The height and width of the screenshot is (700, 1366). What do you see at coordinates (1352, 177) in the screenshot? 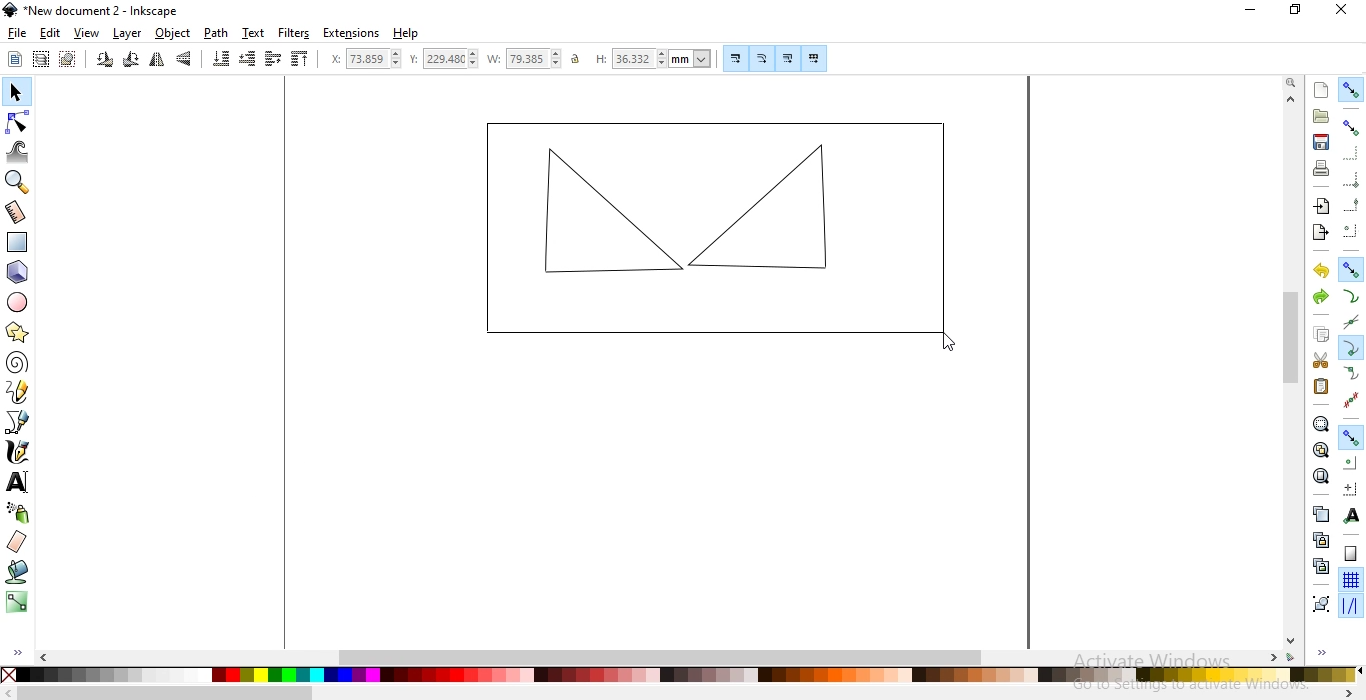
I see `snap bounding box corners` at bounding box center [1352, 177].